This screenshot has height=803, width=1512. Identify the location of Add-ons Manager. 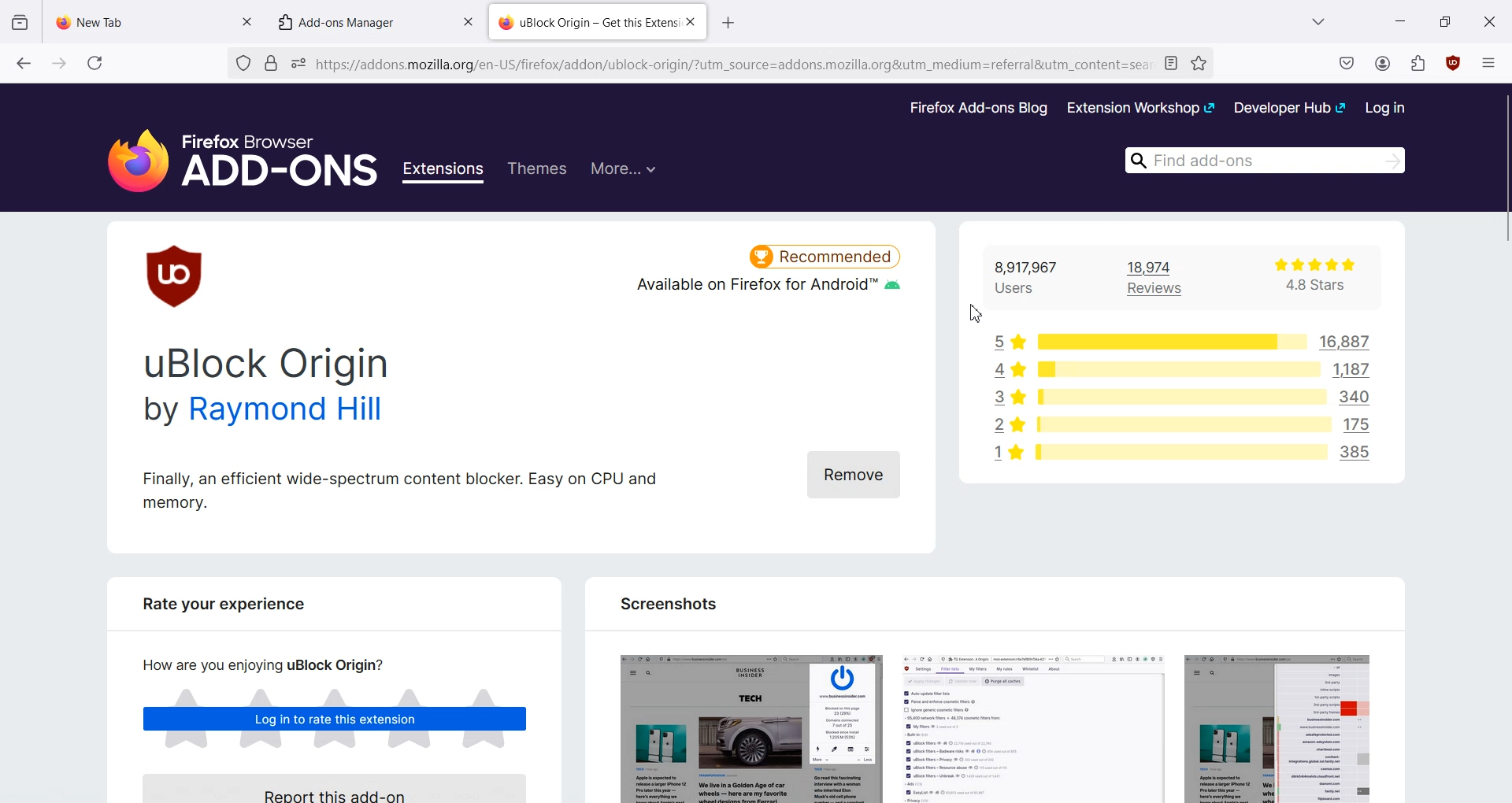
(344, 21).